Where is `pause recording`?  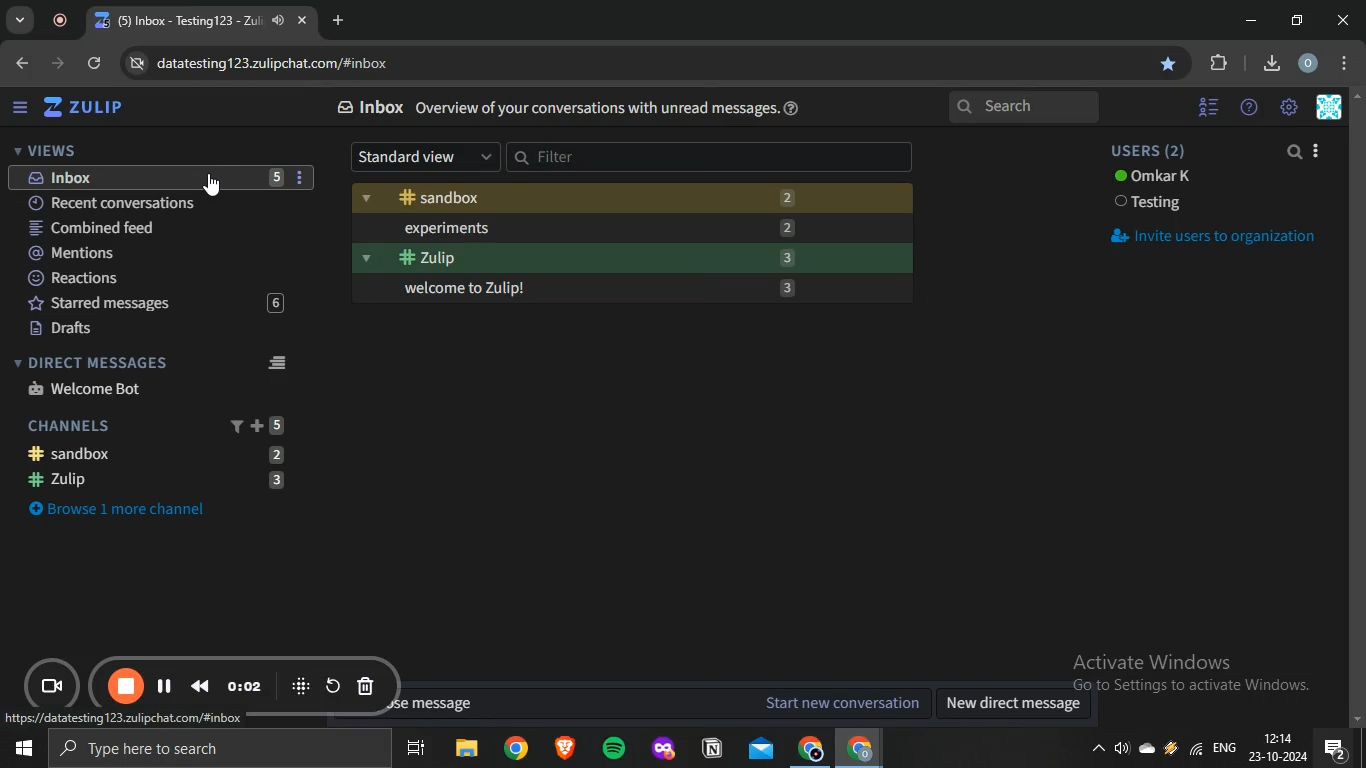 pause recording is located at coordinates (127, 687).